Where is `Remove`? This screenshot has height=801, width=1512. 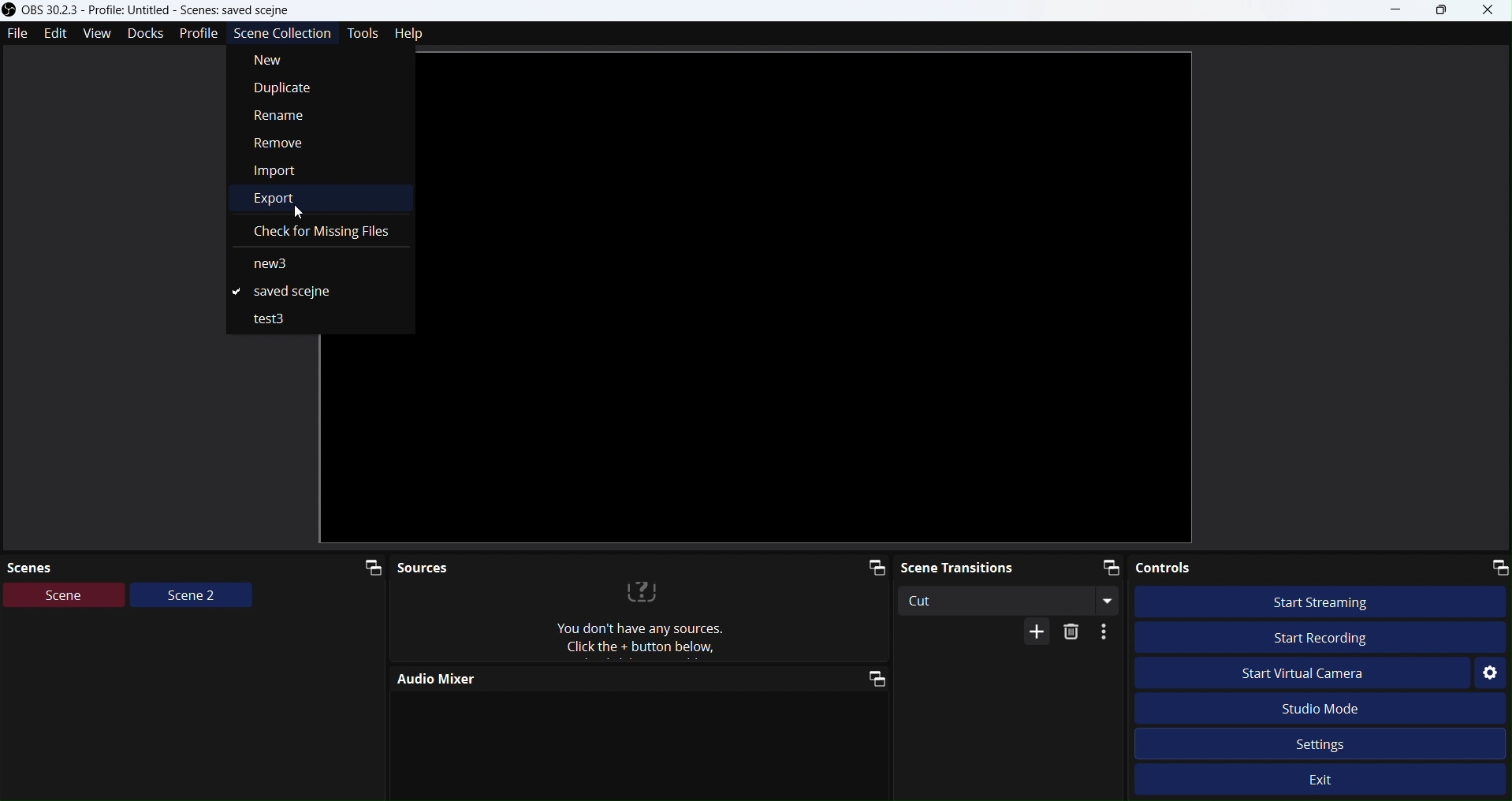 Remove is located at coordinates (303, 144).